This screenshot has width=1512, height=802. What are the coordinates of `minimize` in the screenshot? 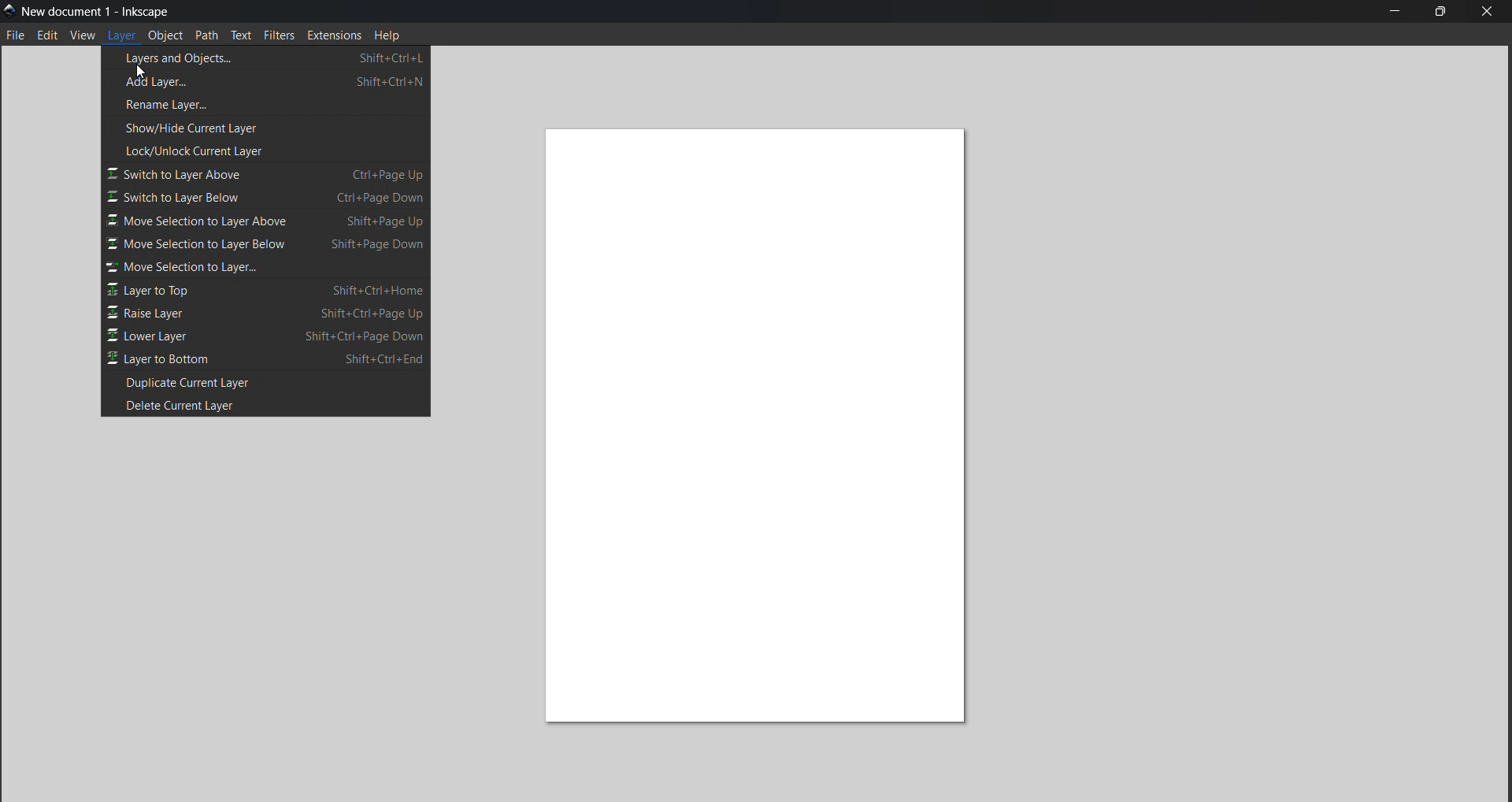 It's located at (1394, 10).